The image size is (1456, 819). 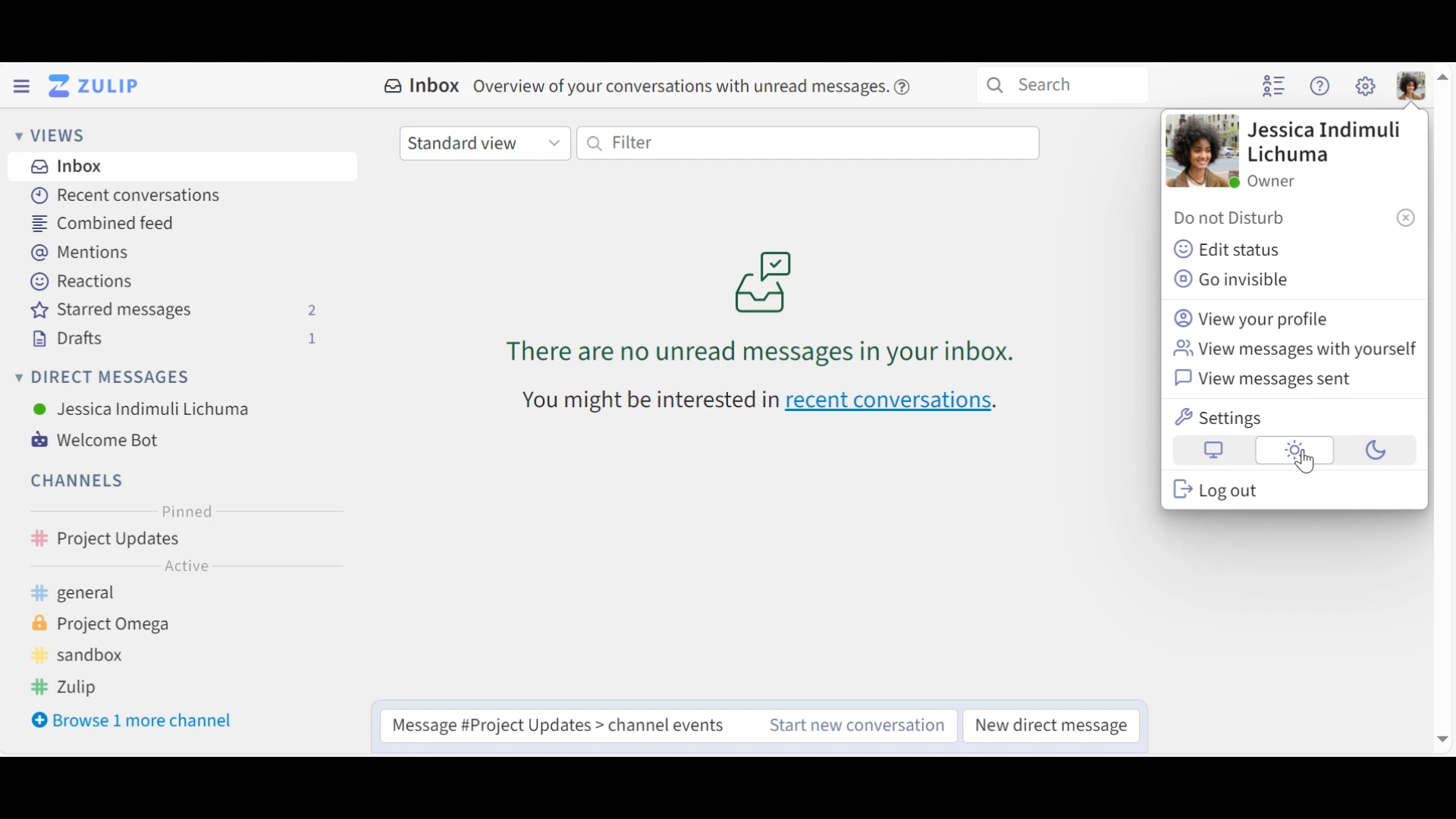 What do you see at coordinates (186, 513) in the screenshot?
I see `Pinned` at bounding box center [186, 513].